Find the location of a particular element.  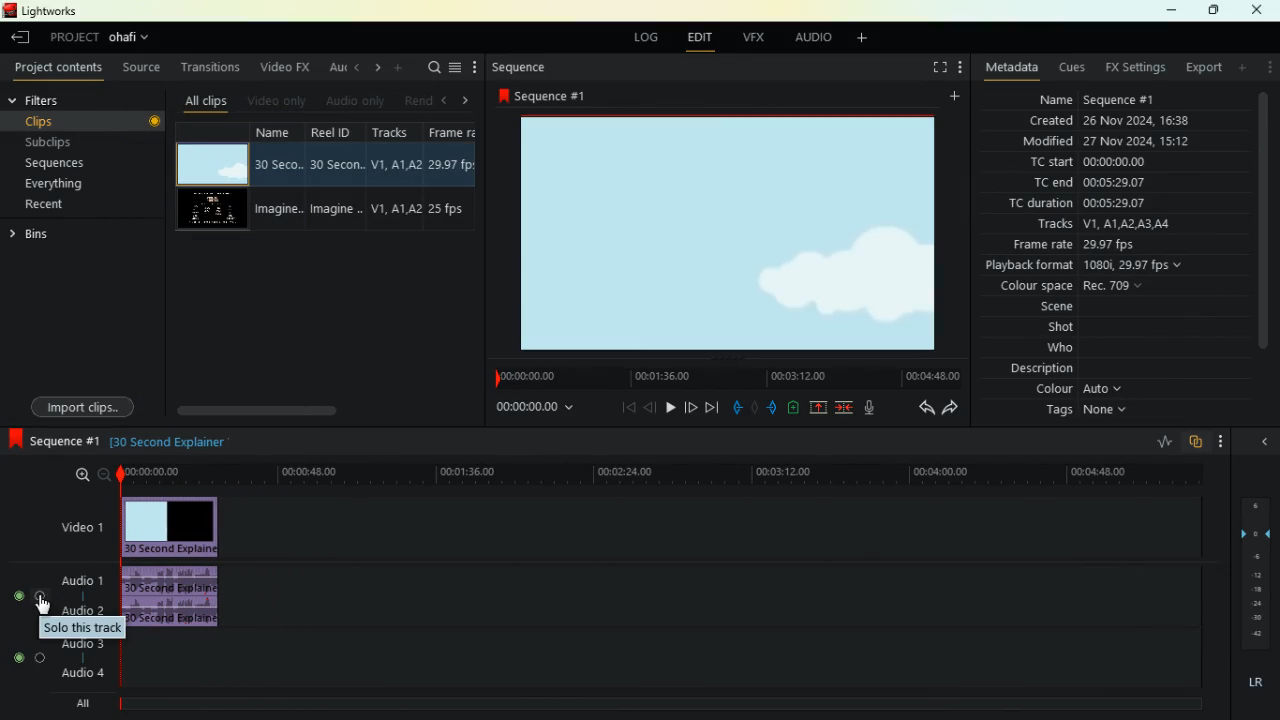

back is located at coordinates (926, 409).